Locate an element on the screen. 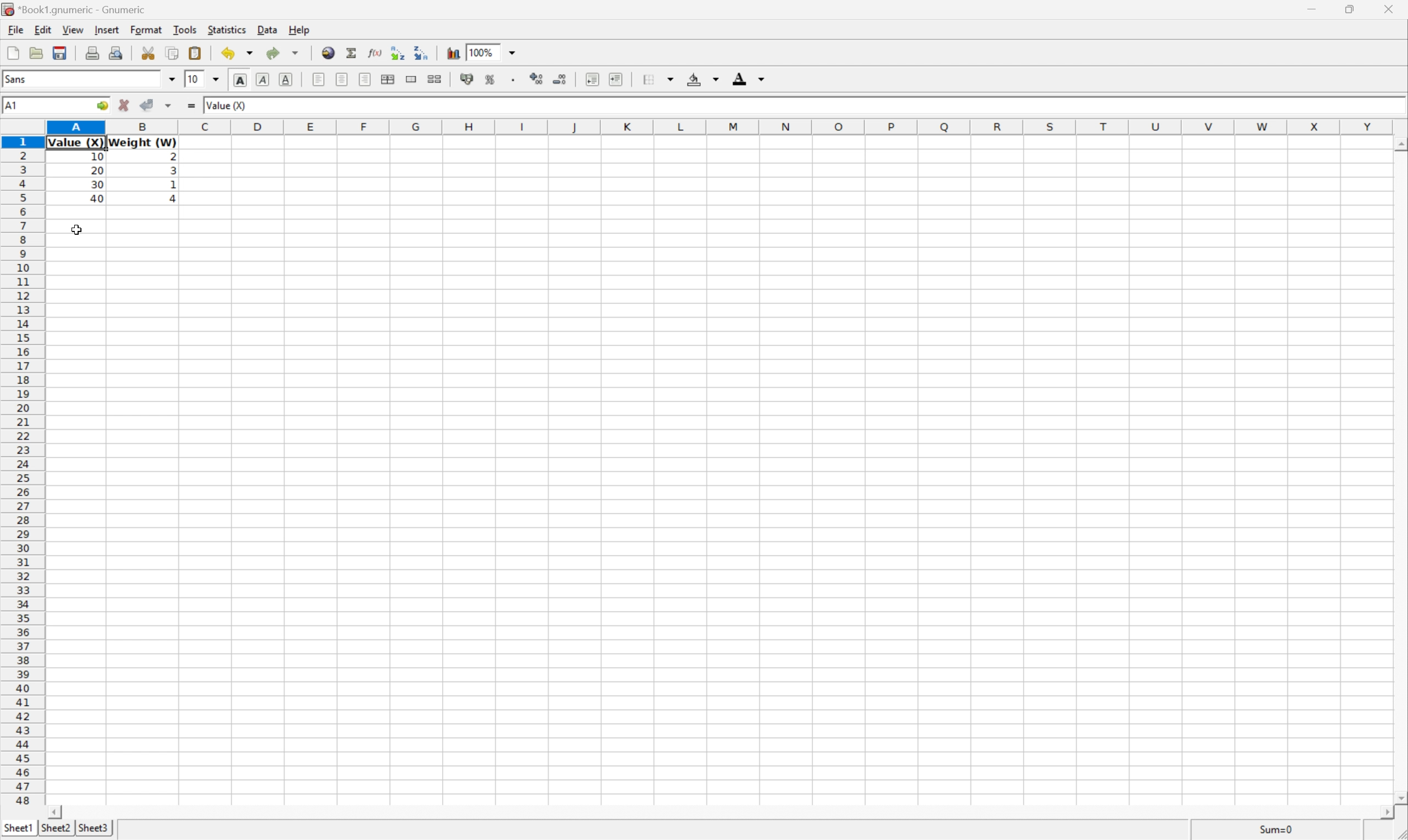 Image resolution: width=1408 pixels, height=840 pixels. Cancel changes is located at coordinates (122, 105).